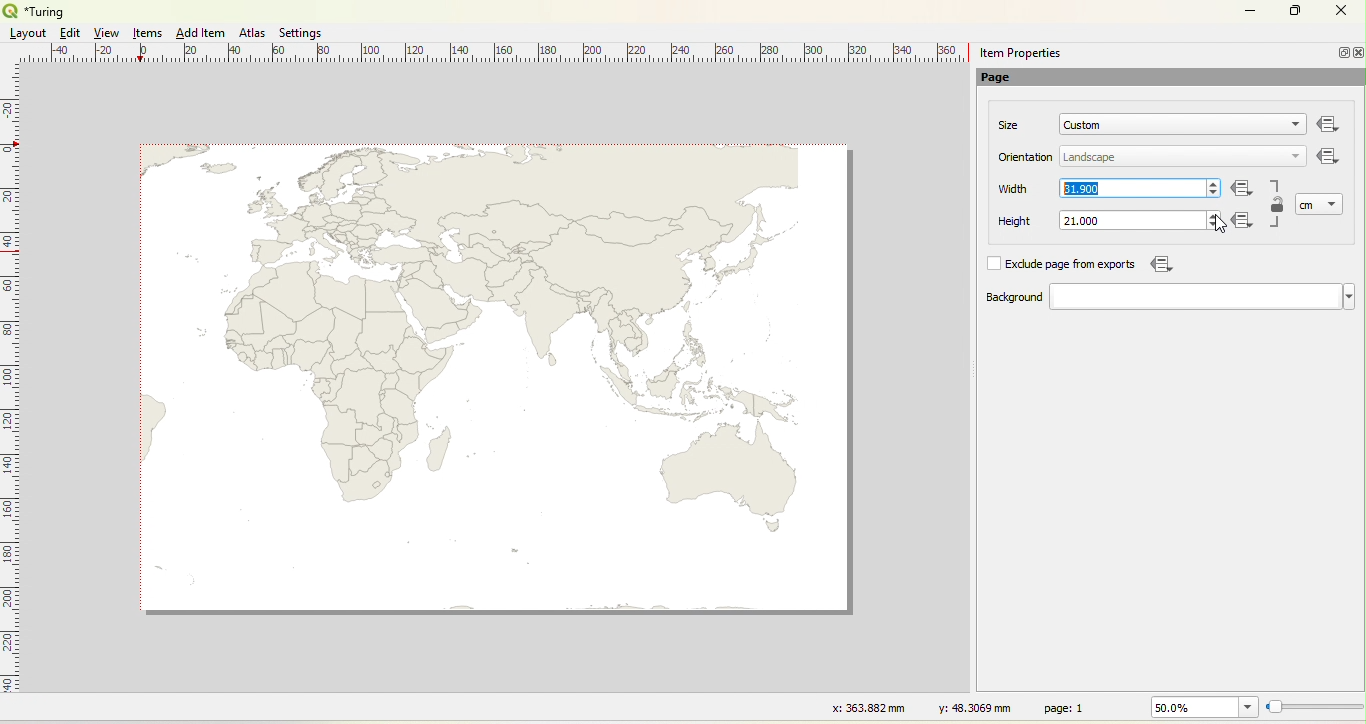  Describe the element at coordinates (68, 33) in the screenshot. I see `Edit` at that location.